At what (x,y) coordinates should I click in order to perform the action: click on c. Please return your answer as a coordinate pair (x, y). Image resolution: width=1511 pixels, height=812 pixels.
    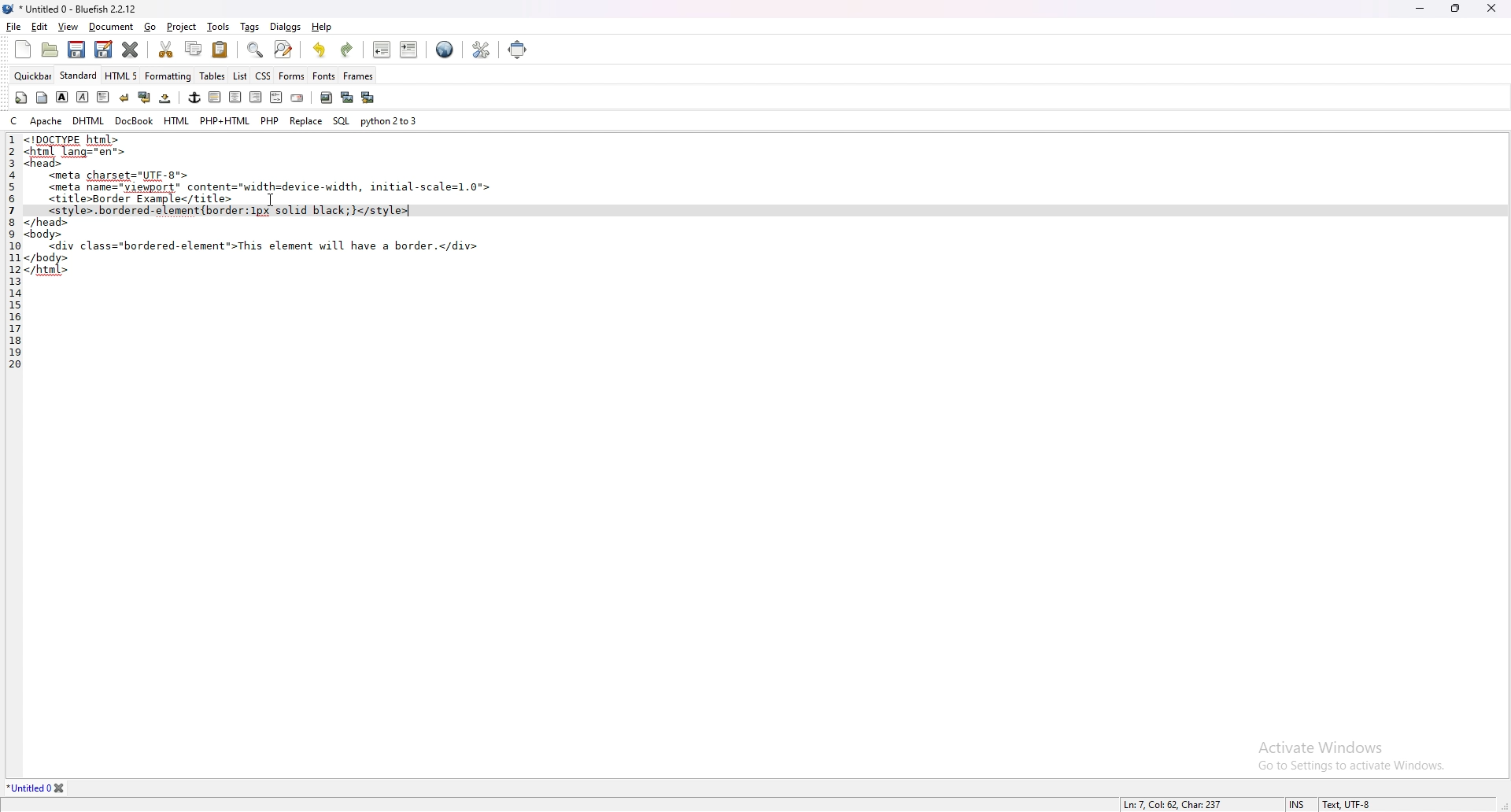
    Looking at the image, I should click on (16, 120).